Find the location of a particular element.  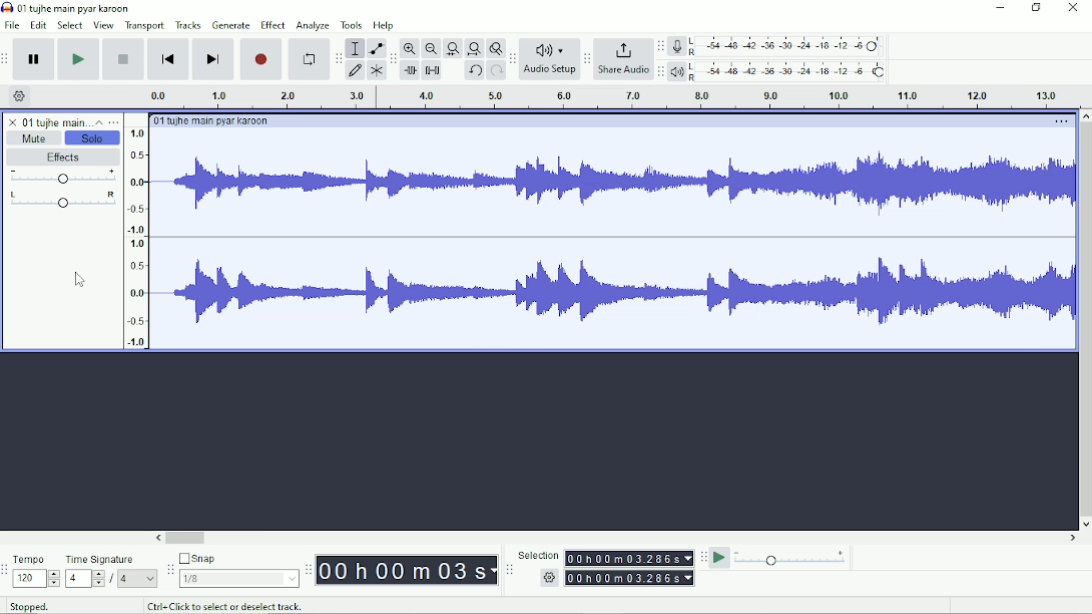

Time Signature is located at coordinates (111, 559).